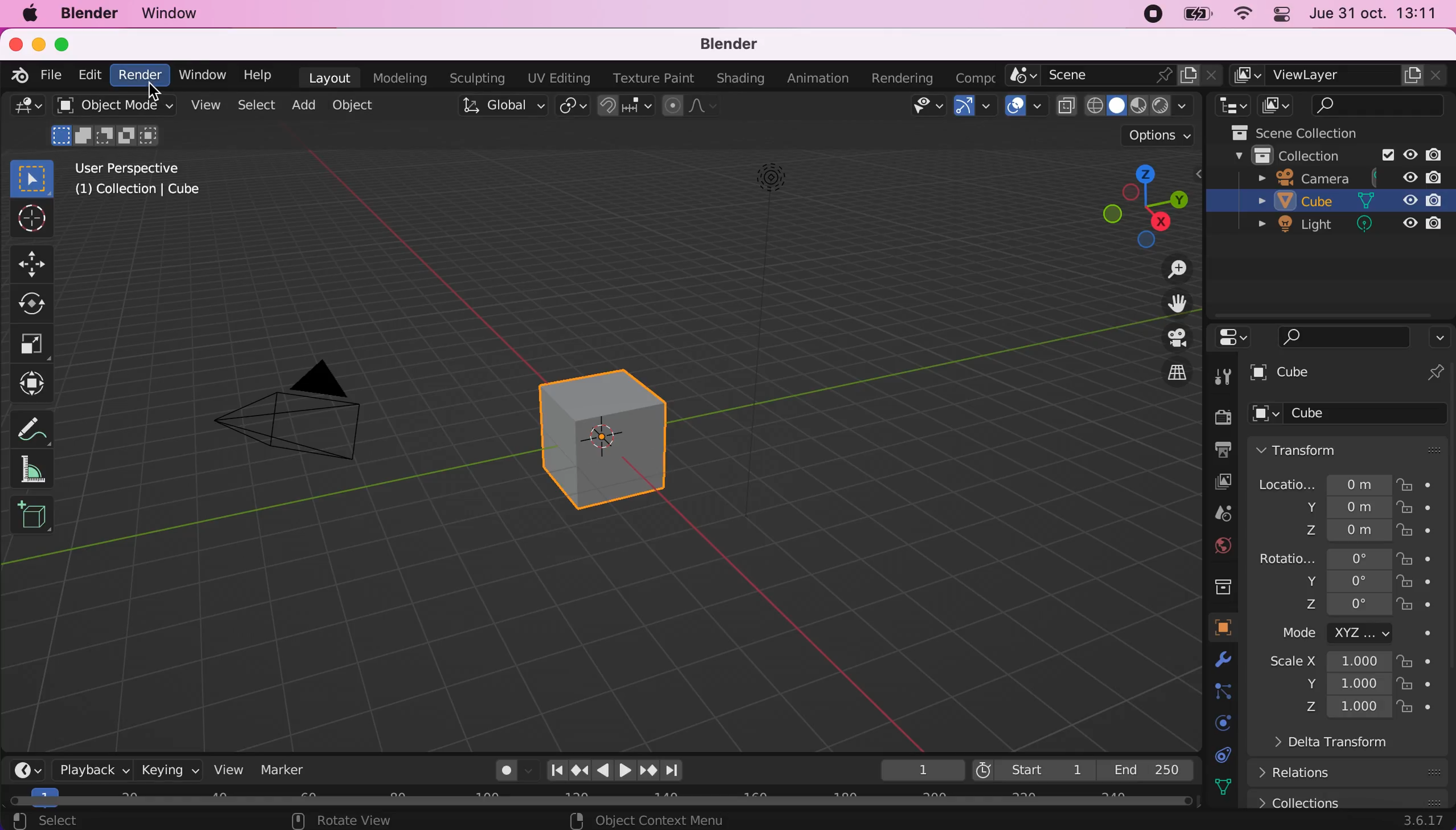 The height and width of the screenshot is (830, 1456). I want to click on user perspective [1] collection | cube, so click(145, 182).